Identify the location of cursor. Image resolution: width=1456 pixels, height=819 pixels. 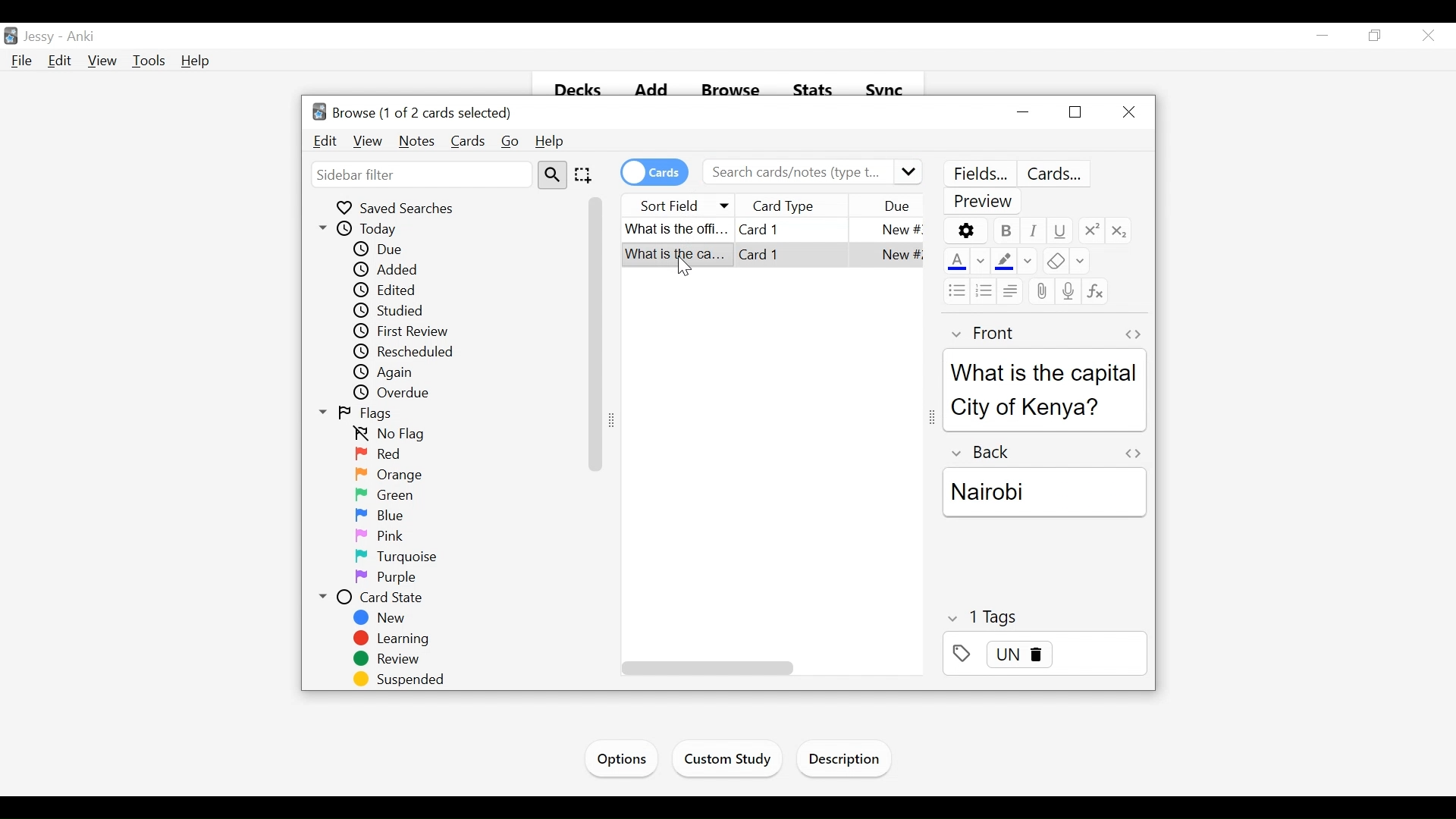
(680, 265).